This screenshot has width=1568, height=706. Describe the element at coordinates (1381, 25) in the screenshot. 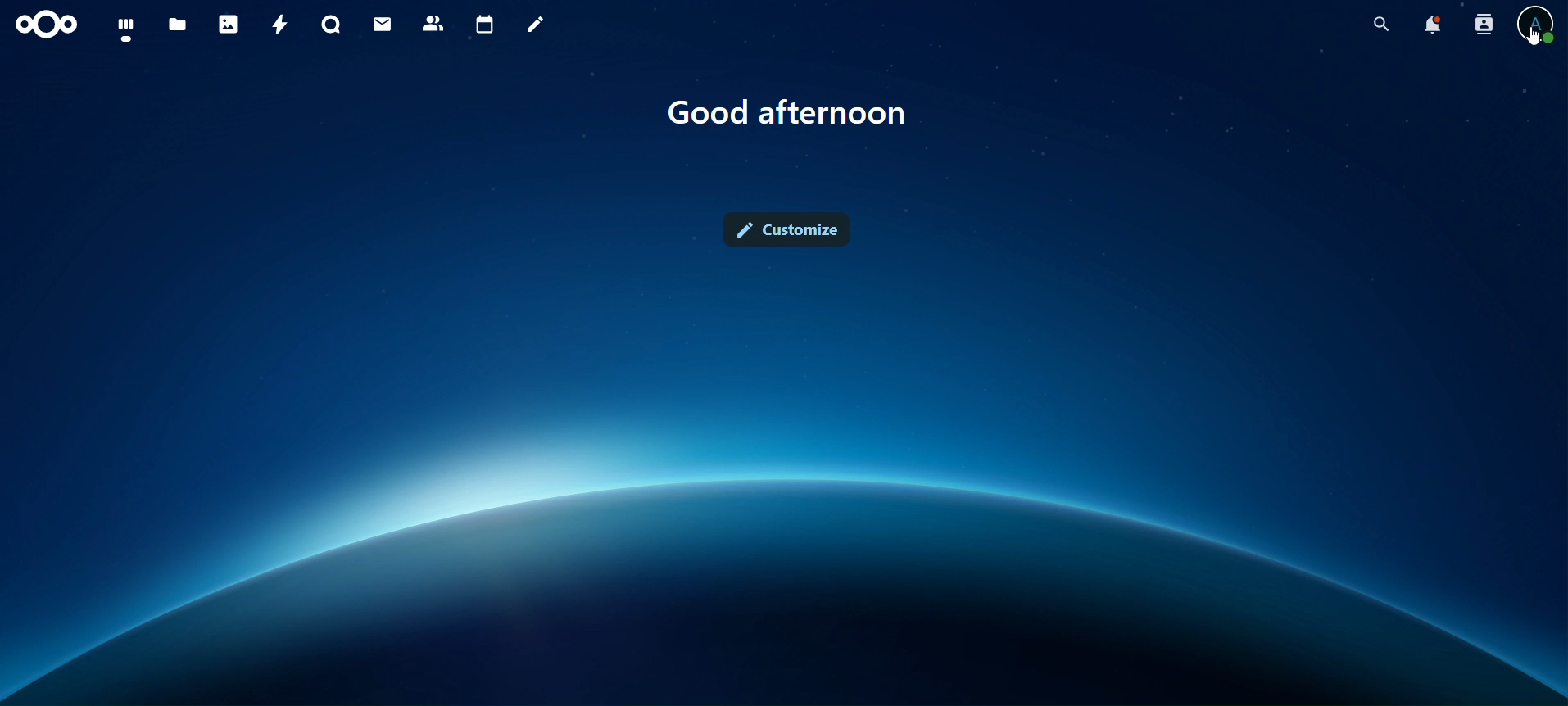

I see `search` at that location.